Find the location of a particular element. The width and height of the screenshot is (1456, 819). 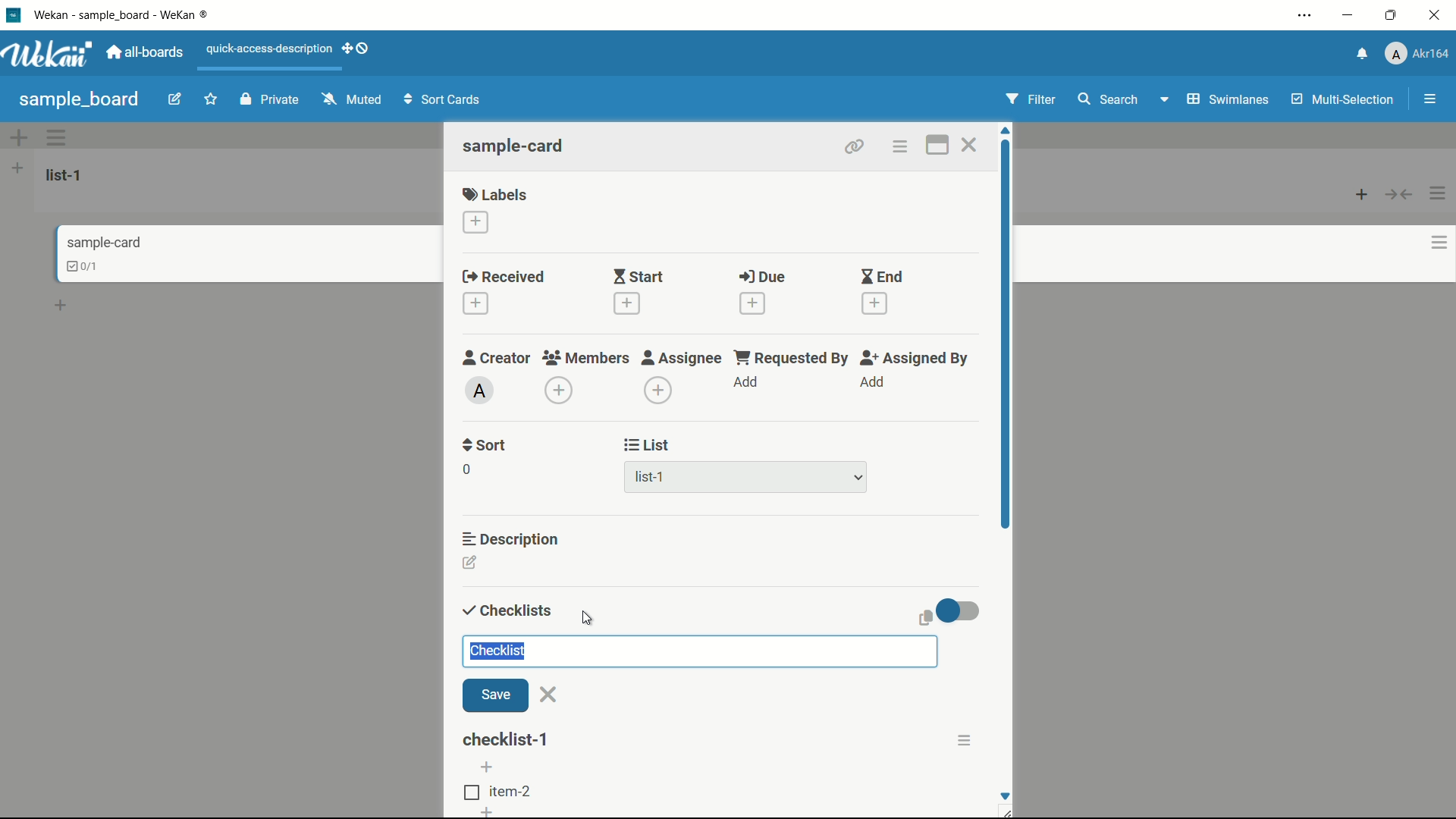

close card is located at coordinates (968, 147).